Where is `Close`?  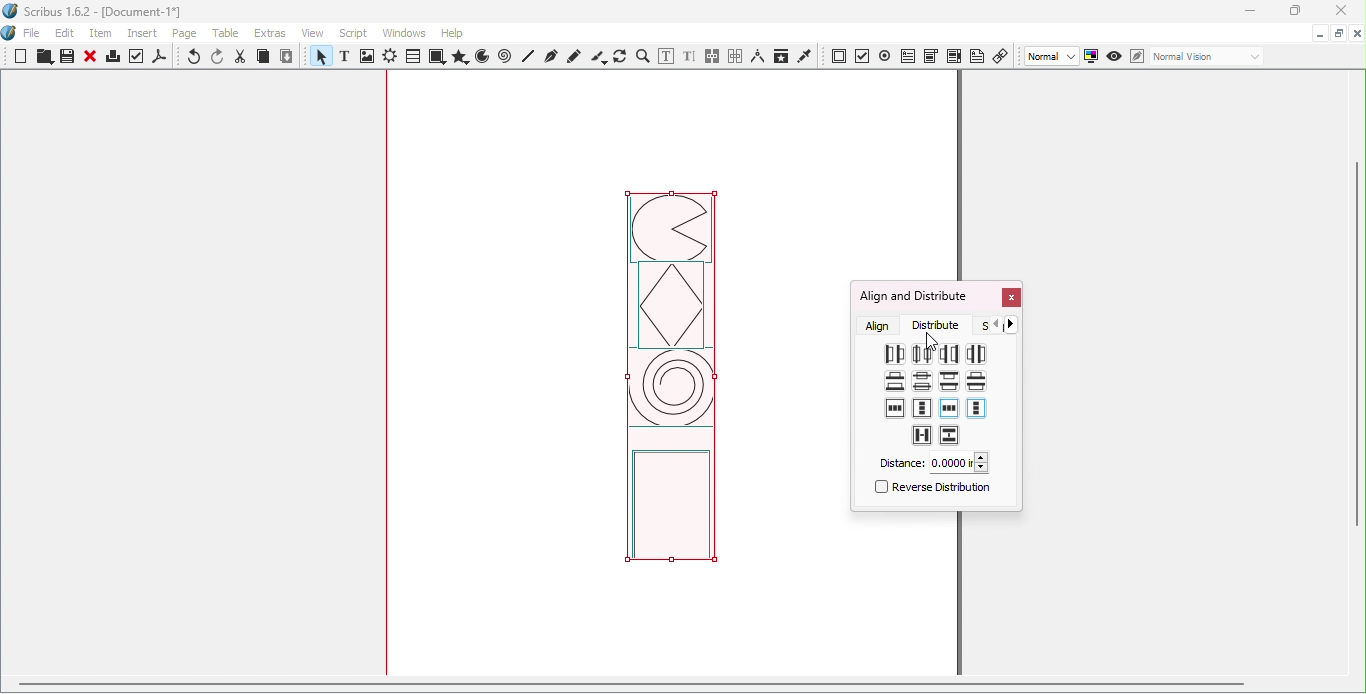
Close is located at coordinates (1010, 299).